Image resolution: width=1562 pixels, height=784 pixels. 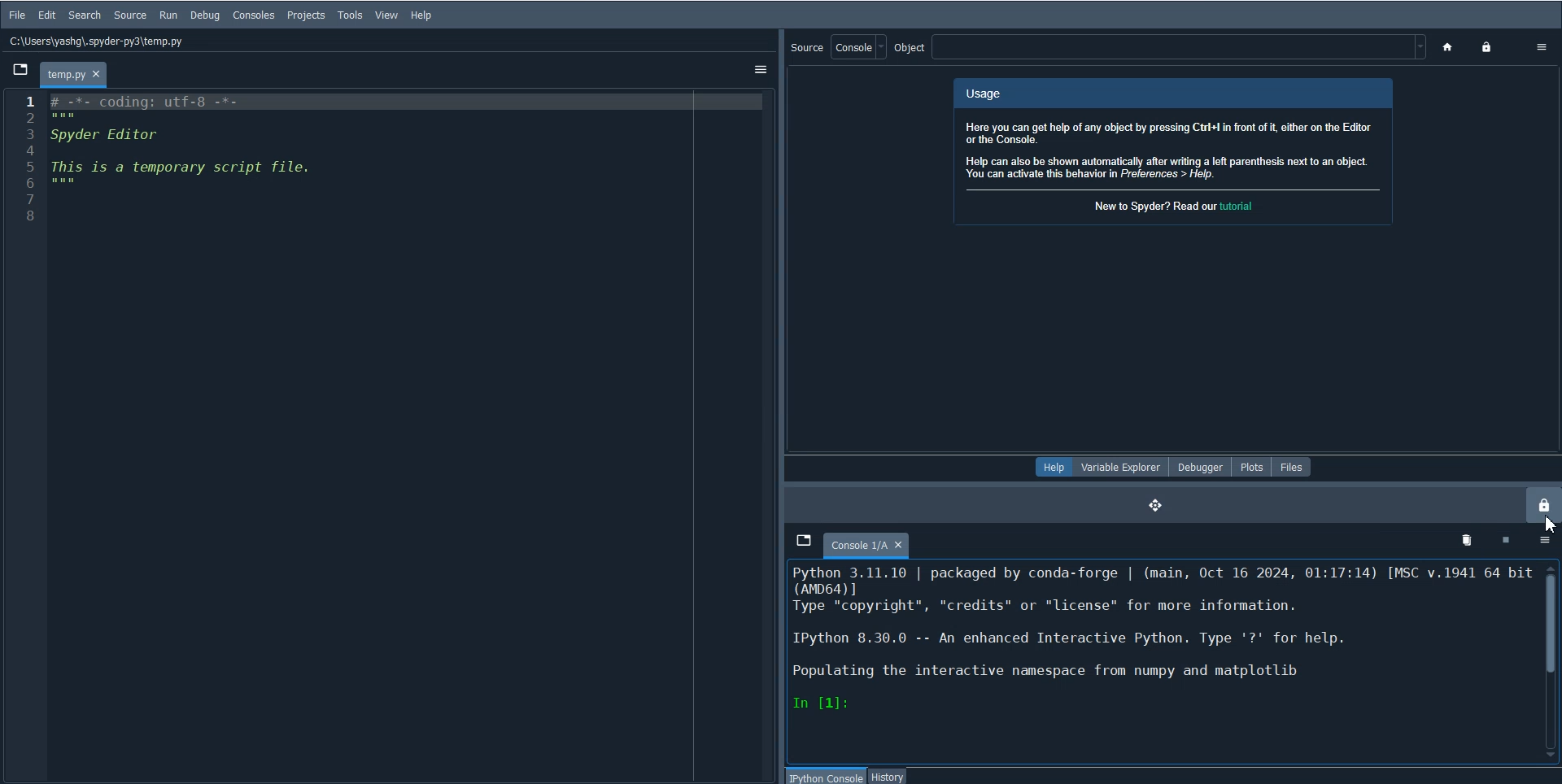 What do you see at coordinates (1198, 466) in the screenshot?
I see `Debugger` at bounding box center [1198, 466].